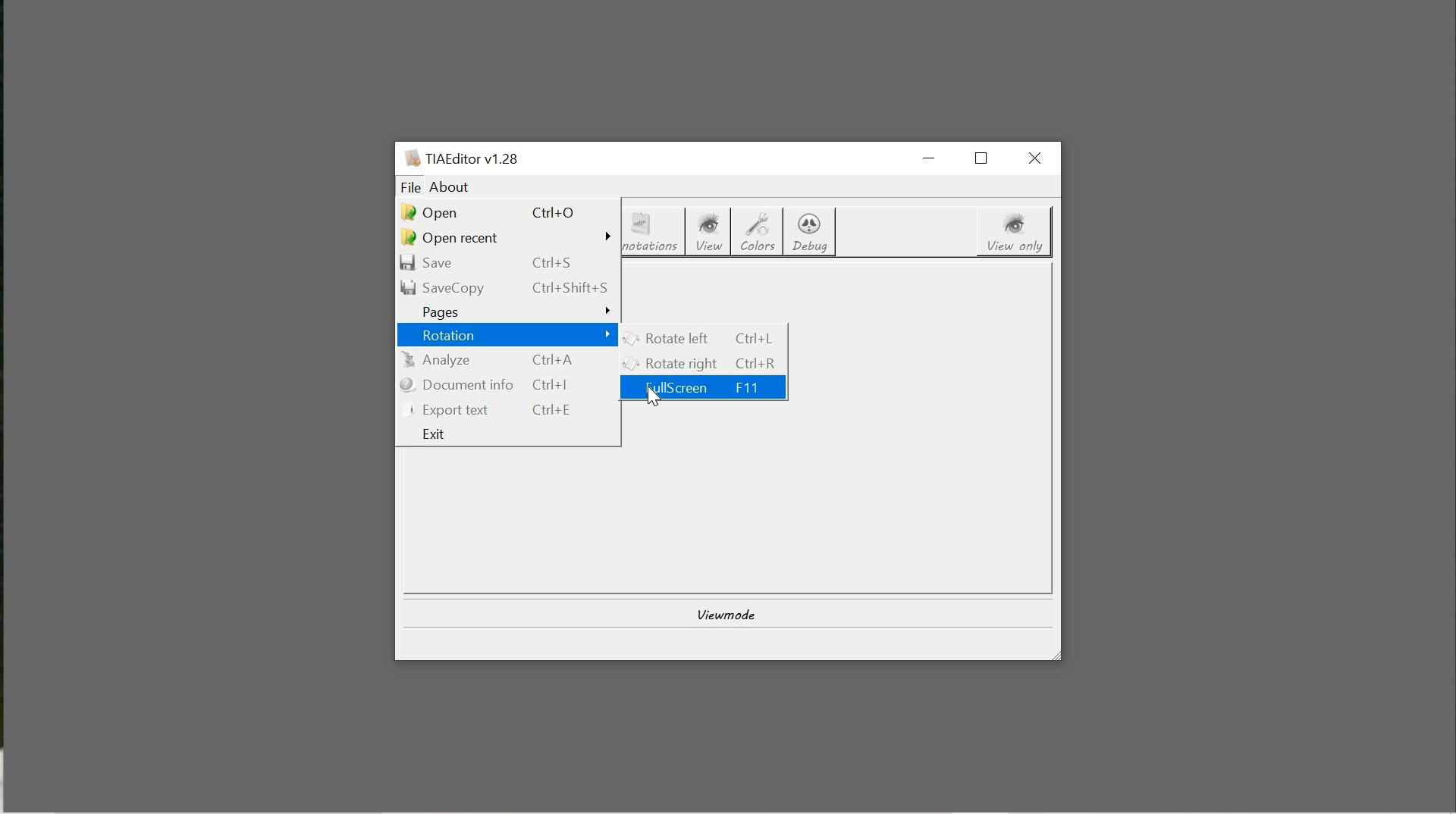 The width and height of the screenshot is (1456, 814). Describe the element at coordinates (704, 338) in the screenshot. I see `rotate left` at that location.